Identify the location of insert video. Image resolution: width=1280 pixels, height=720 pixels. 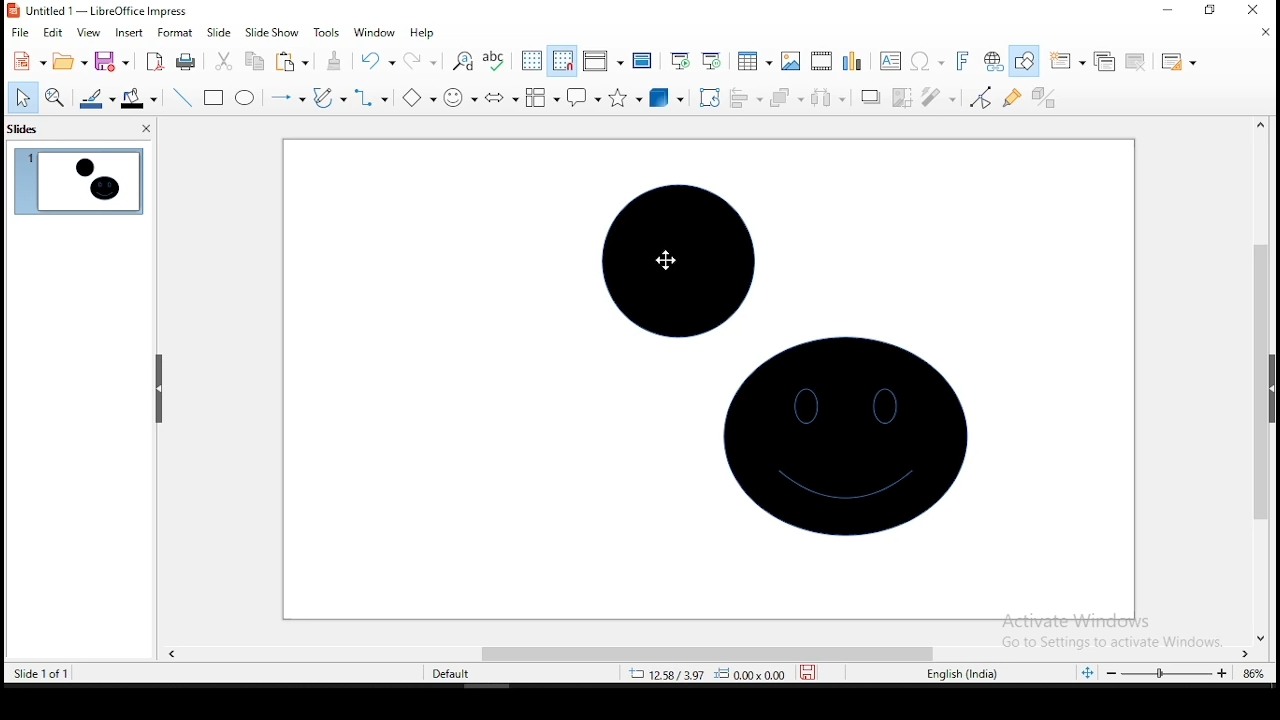
(822, 61).